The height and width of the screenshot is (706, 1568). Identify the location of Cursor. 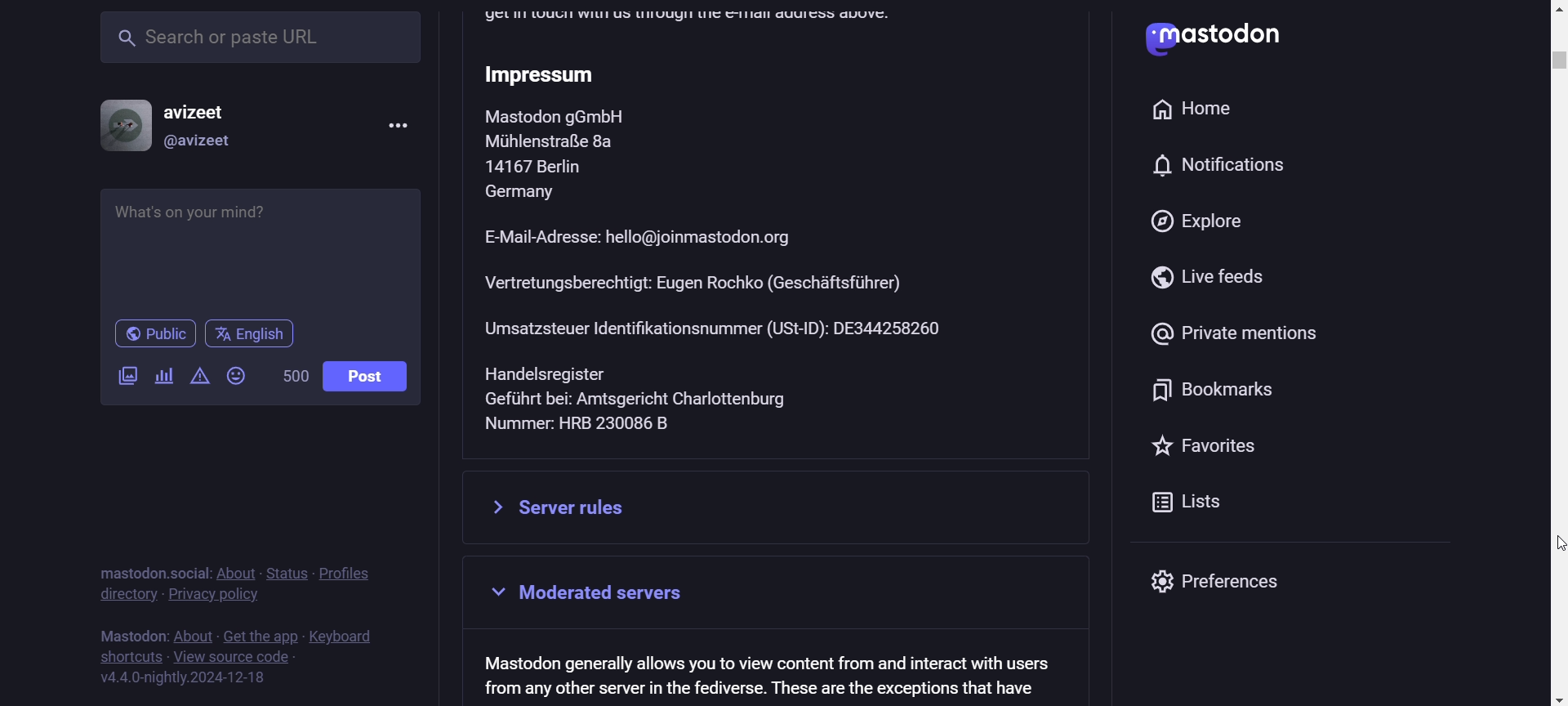
(1546, 542).